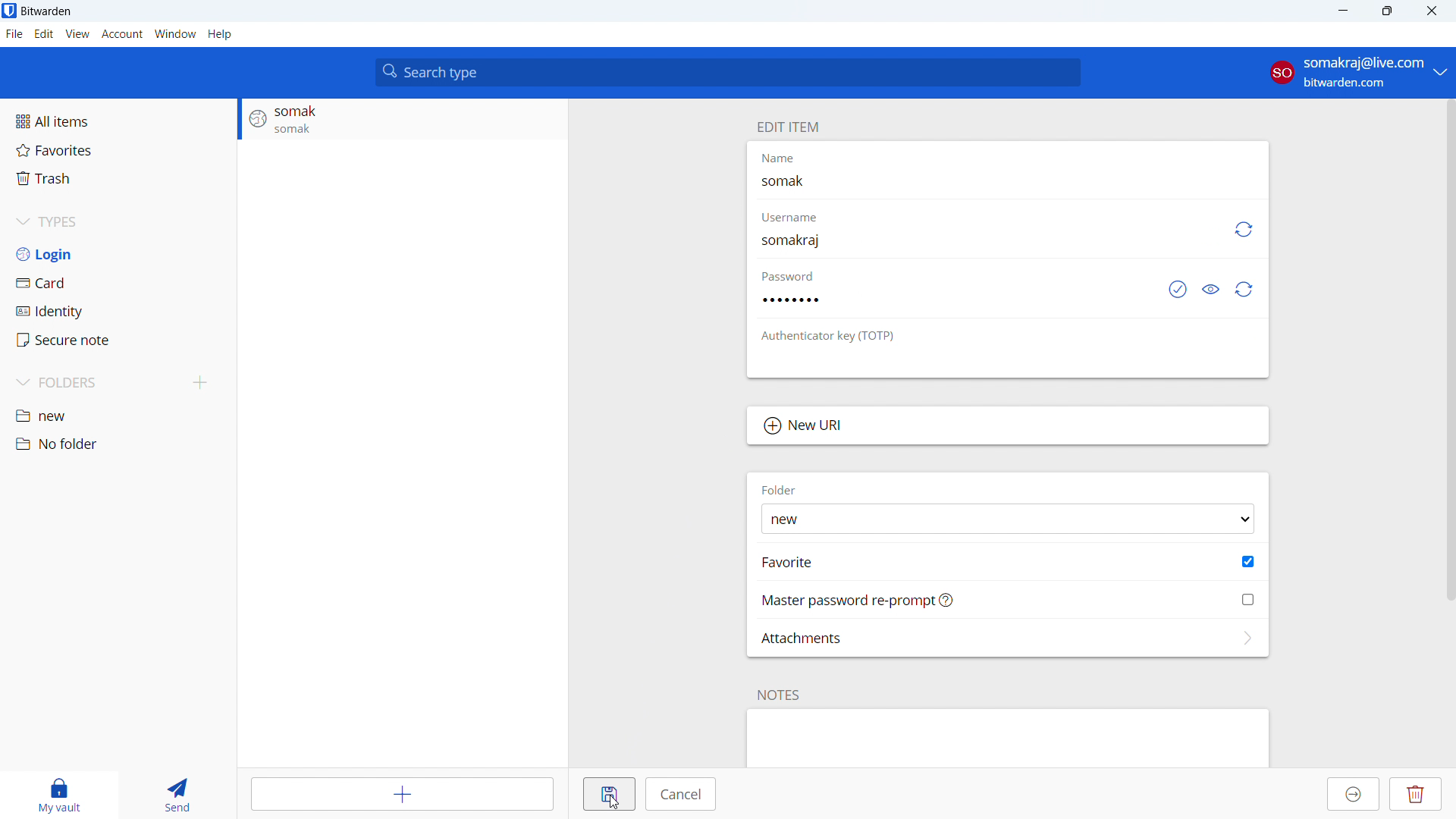  Describe the element at coordinates (78, 34) in the screenshot. I see `view` at that location.